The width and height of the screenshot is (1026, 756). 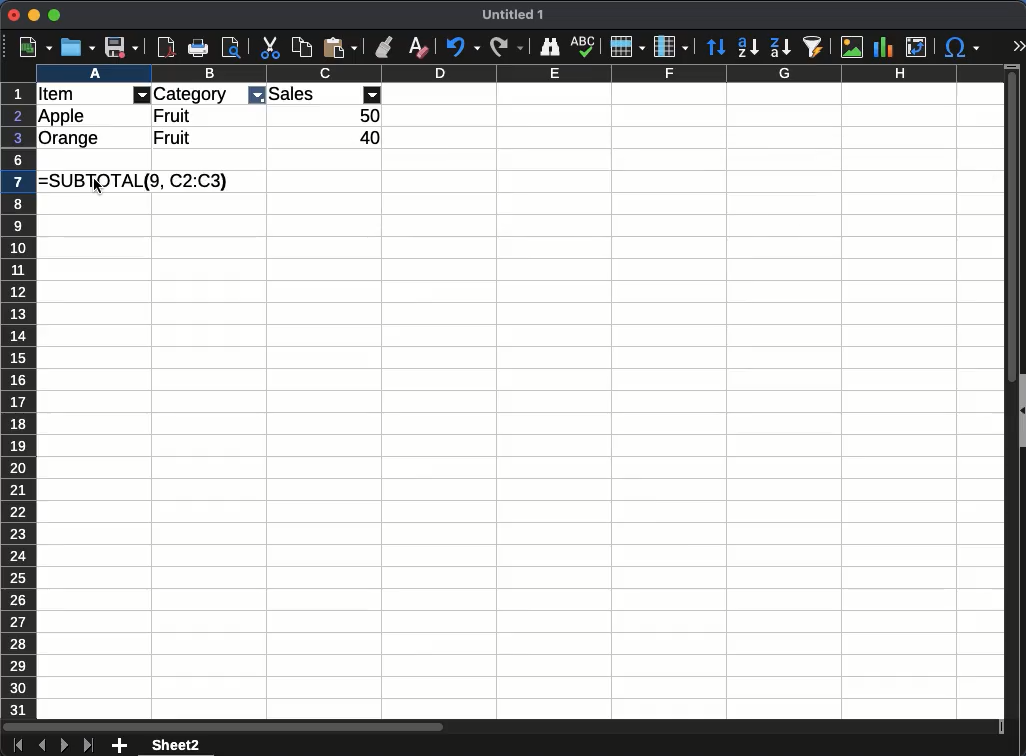 I want to click on new, so click(x=36, y=47).